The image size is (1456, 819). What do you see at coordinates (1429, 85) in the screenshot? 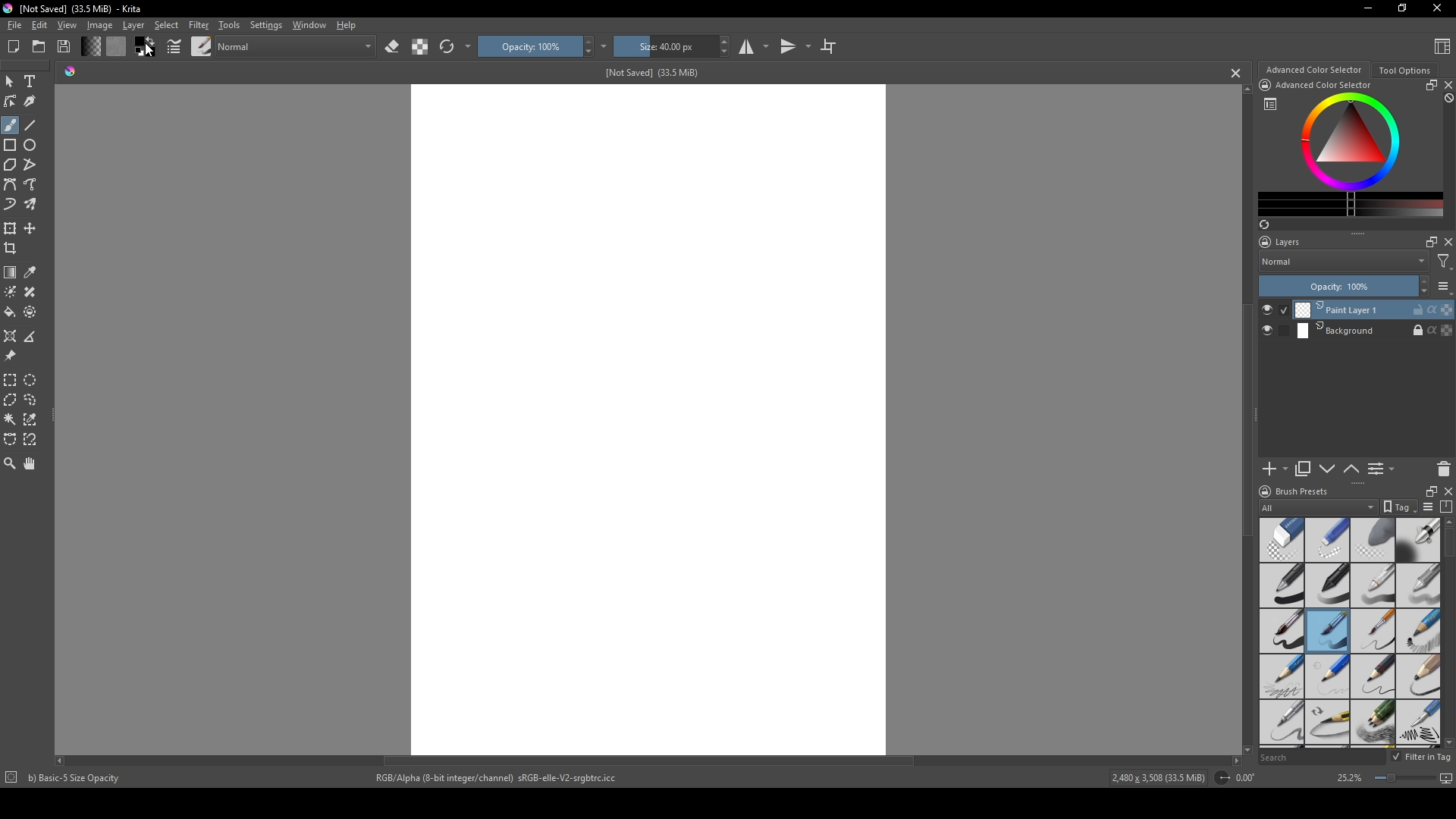
I see `resize` at bounding box center [1429, 85].